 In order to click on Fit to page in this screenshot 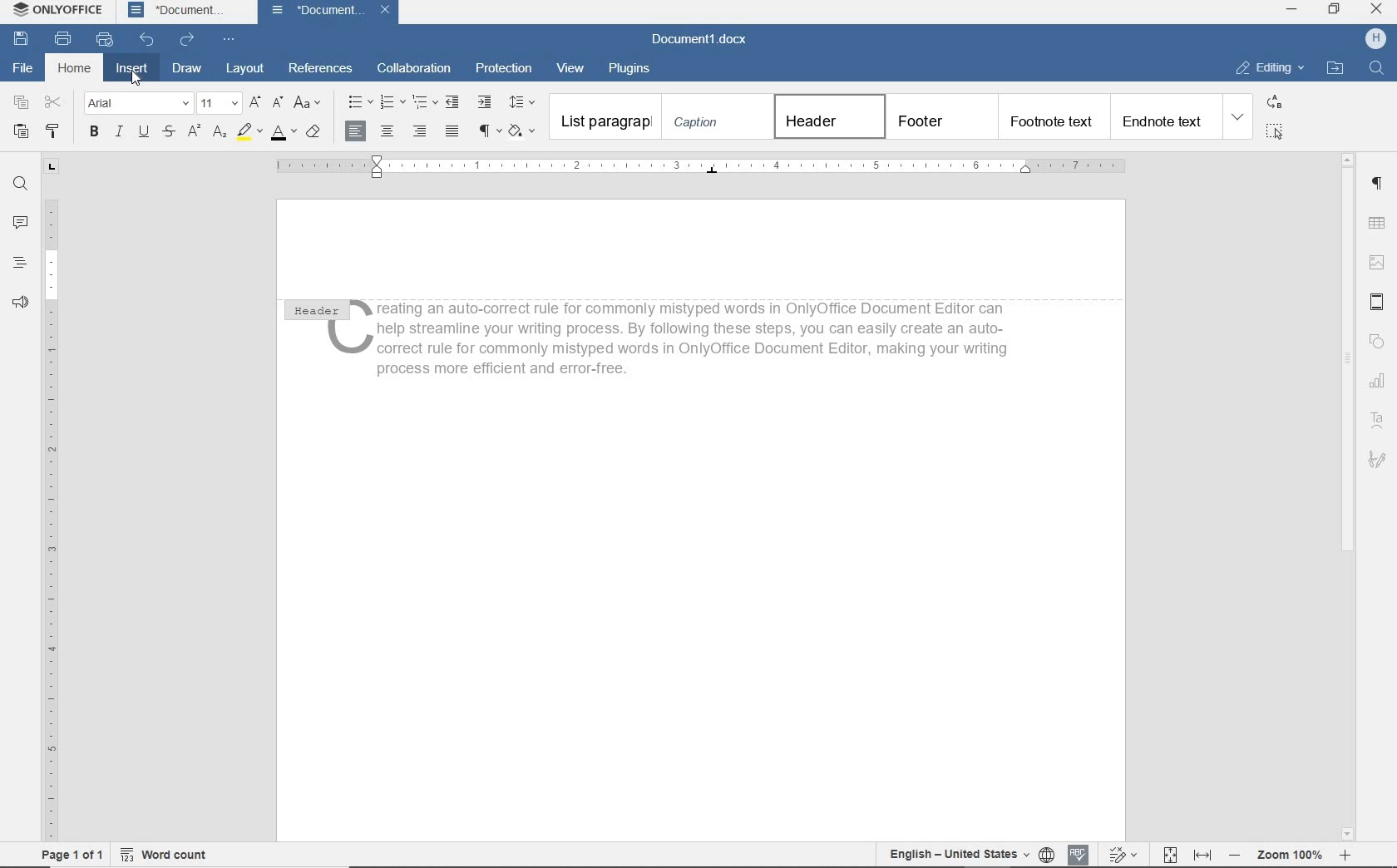, I will do `click(1168, 854)`.